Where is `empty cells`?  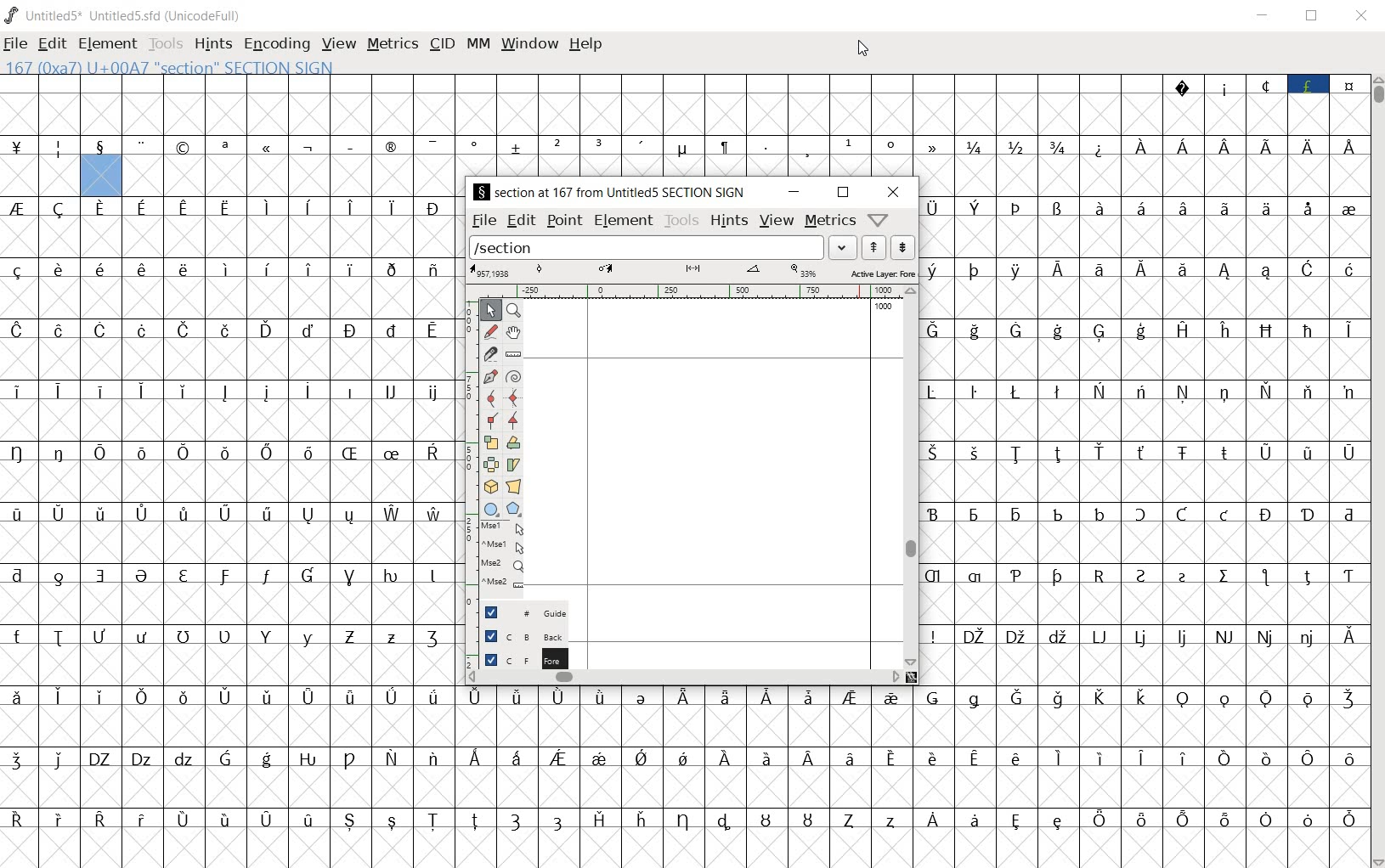 empty cells is located at coordinates (231, 238).